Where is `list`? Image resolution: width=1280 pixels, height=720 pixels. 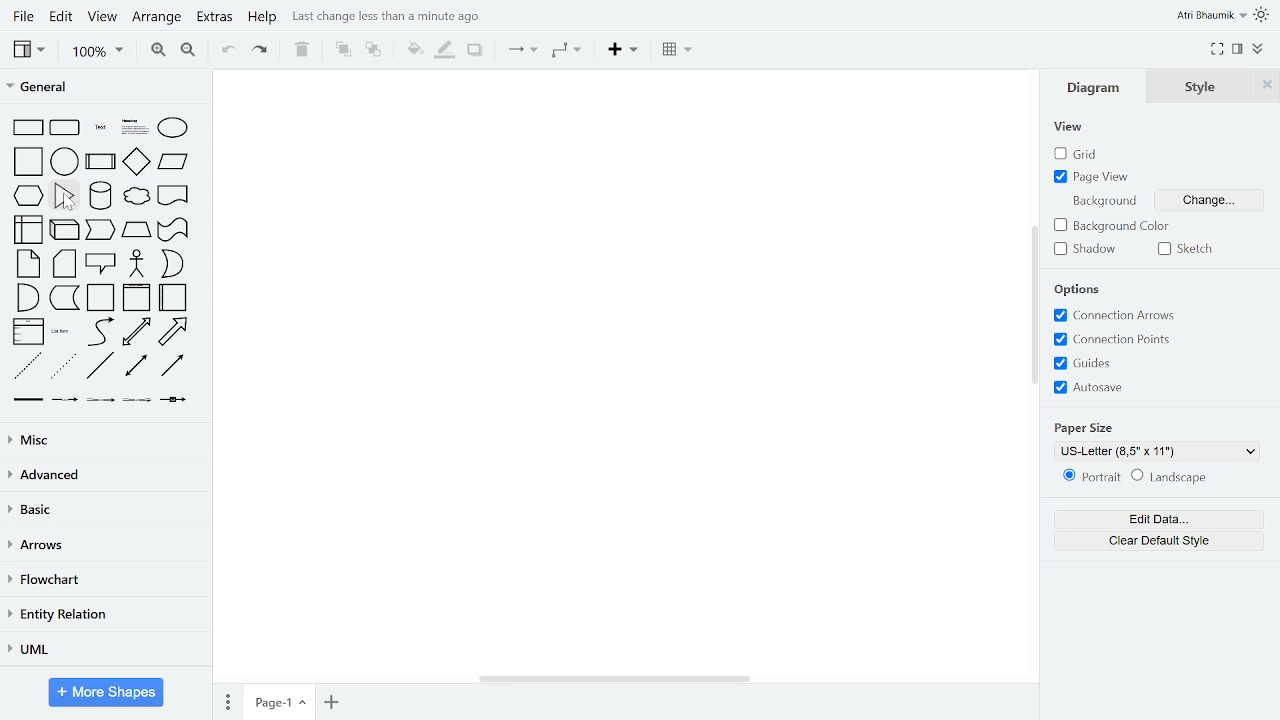
list is located at coordinates (27, 333).